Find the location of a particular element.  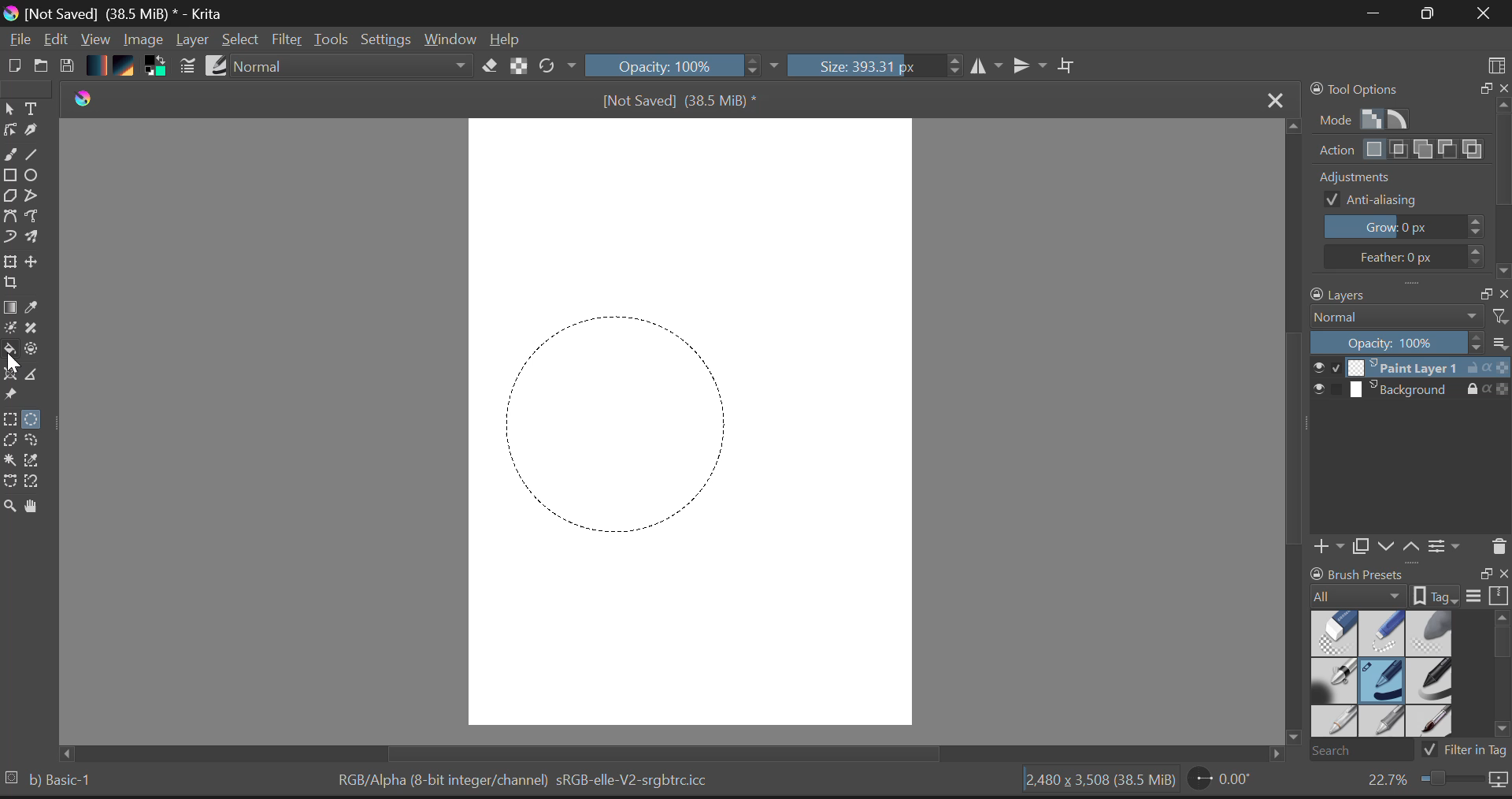

Bezier Curve is located at coordinates (10, 481).